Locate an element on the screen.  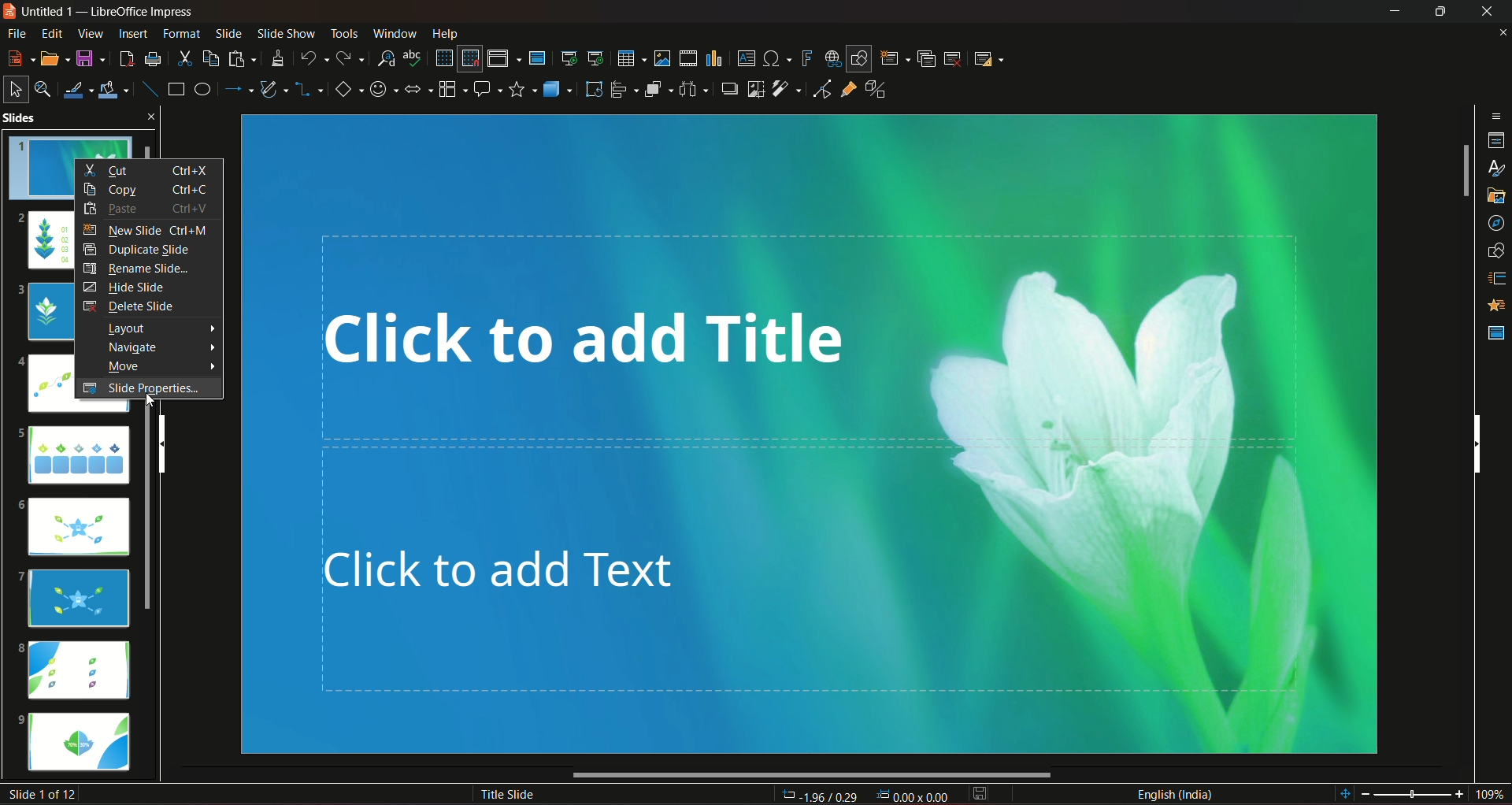
open is located at coordinates (54, 57).